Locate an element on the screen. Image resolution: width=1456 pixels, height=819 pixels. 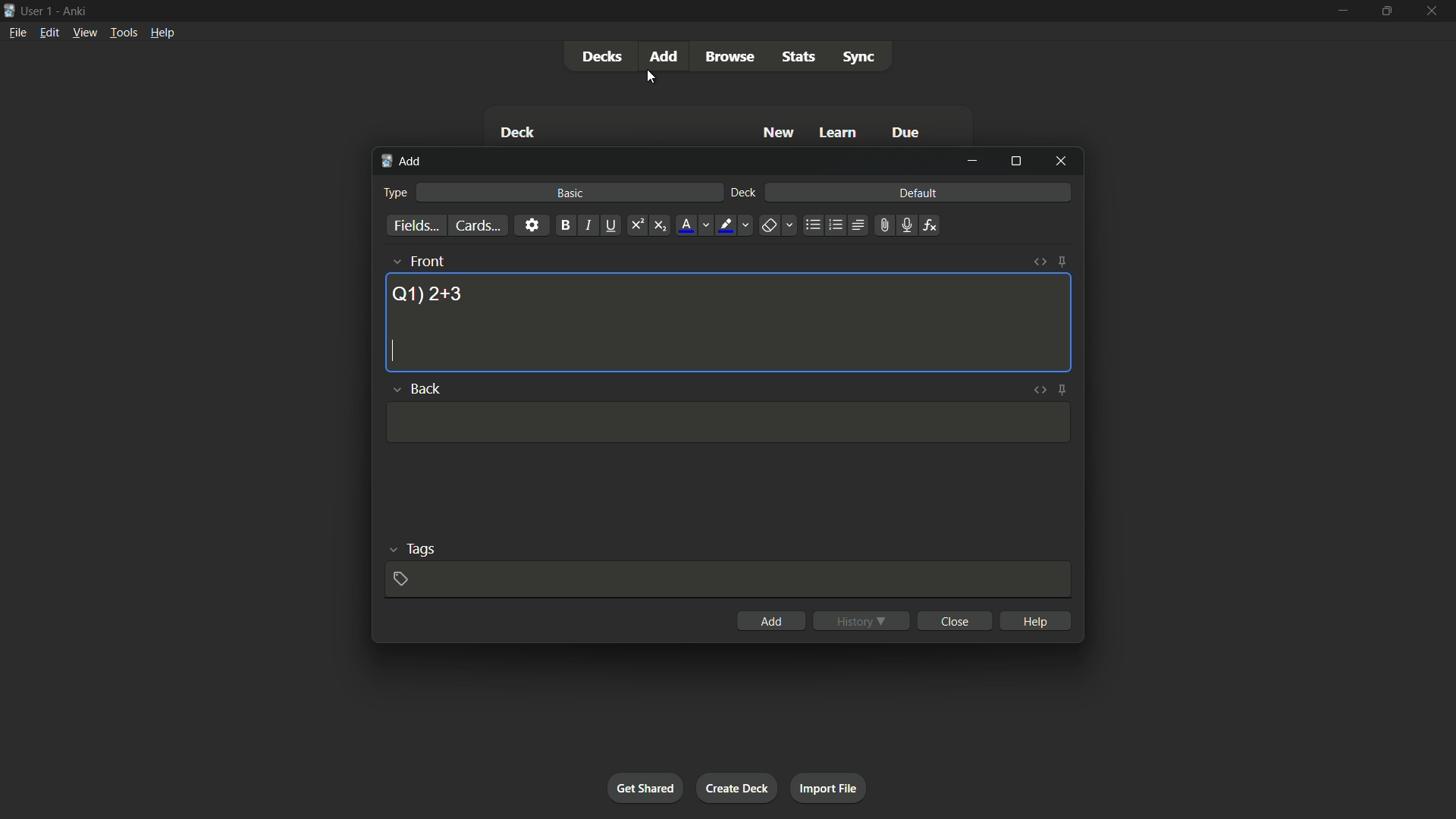
question is located at coordinates (427, 293).